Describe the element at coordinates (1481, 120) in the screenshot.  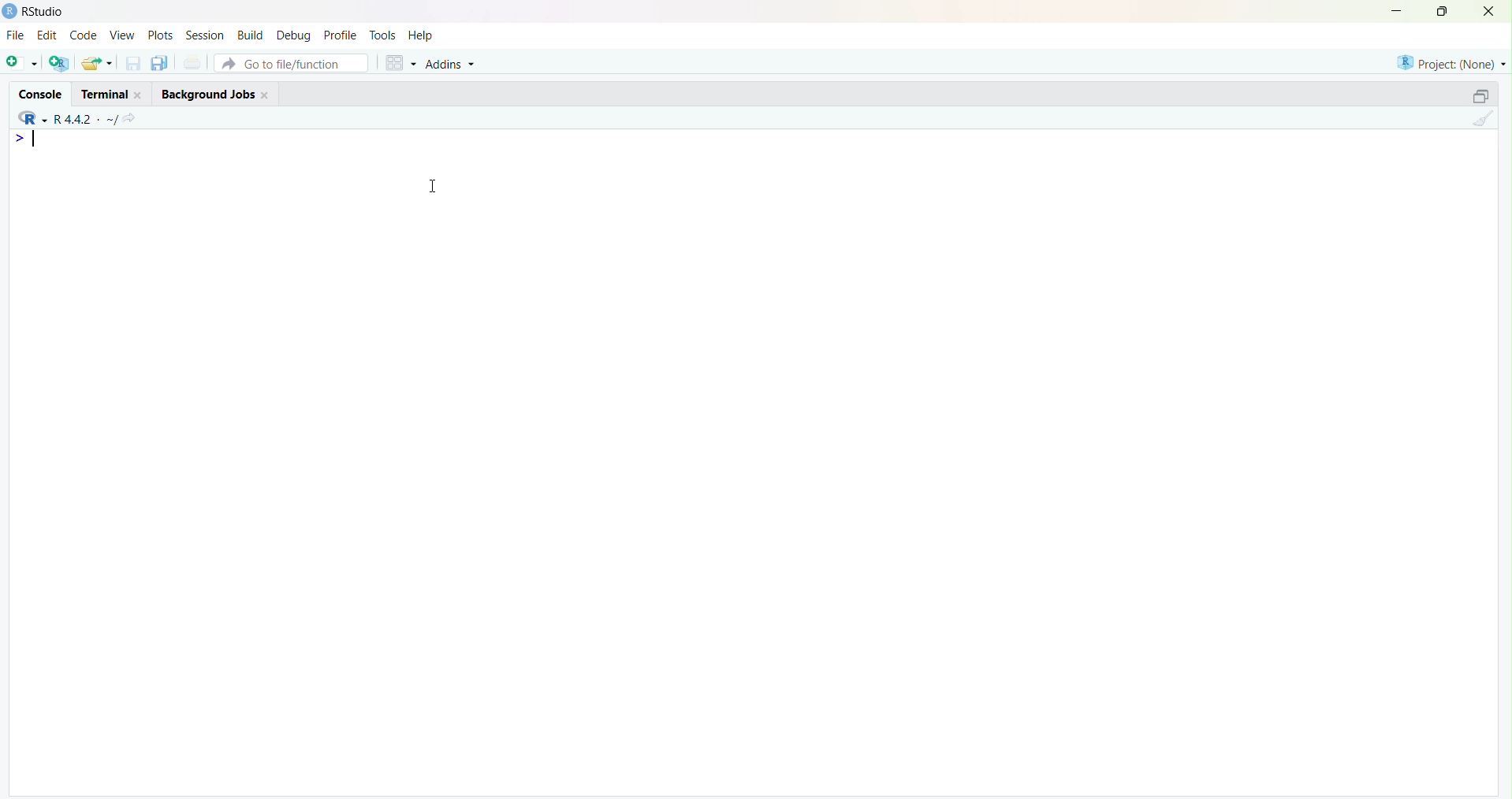
I see `Clear console (Ctrl + L)` at that location.